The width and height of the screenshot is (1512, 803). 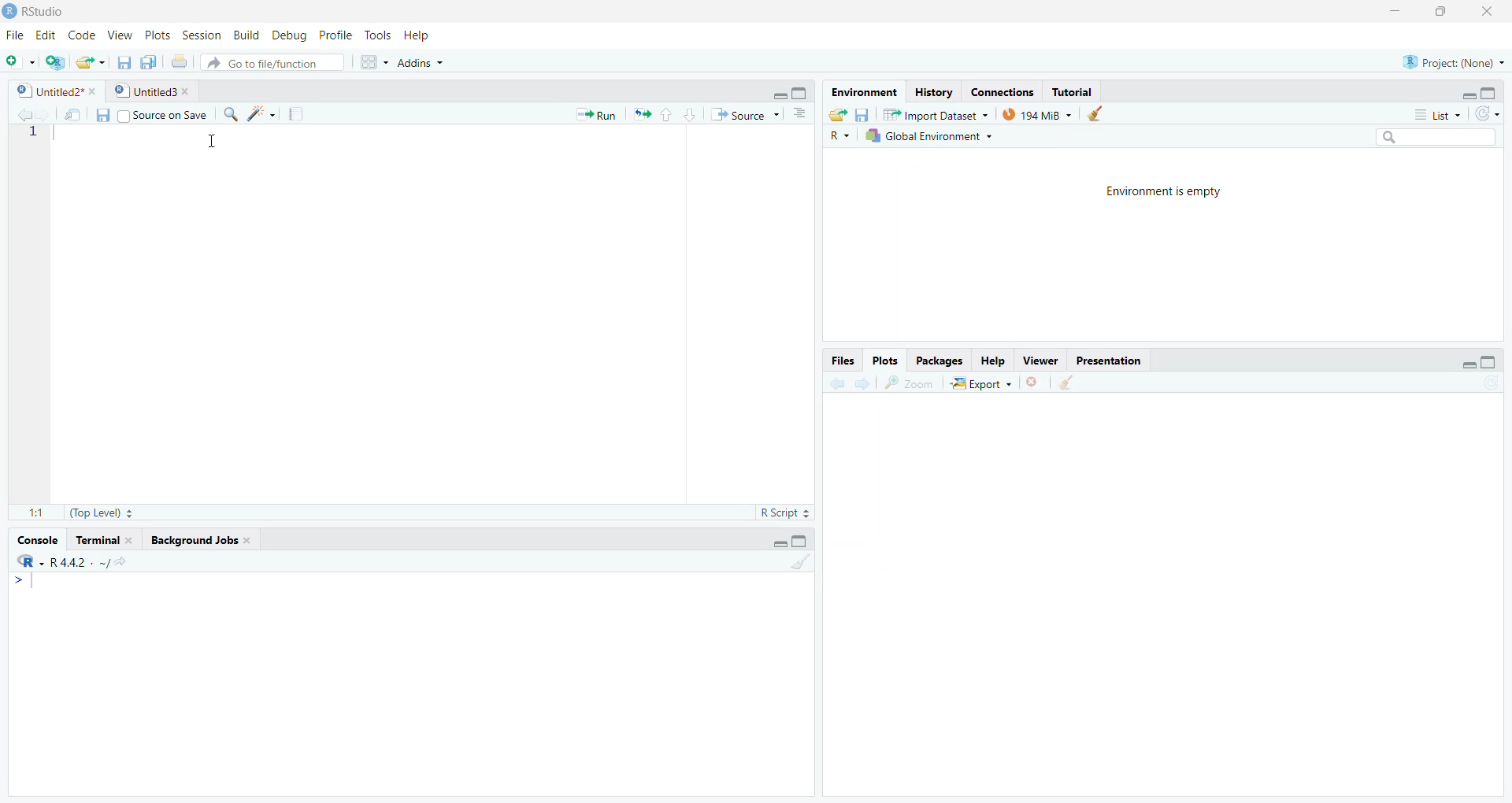 I want to click on R + 1k Global Environment +, so click(x=939, y=137).